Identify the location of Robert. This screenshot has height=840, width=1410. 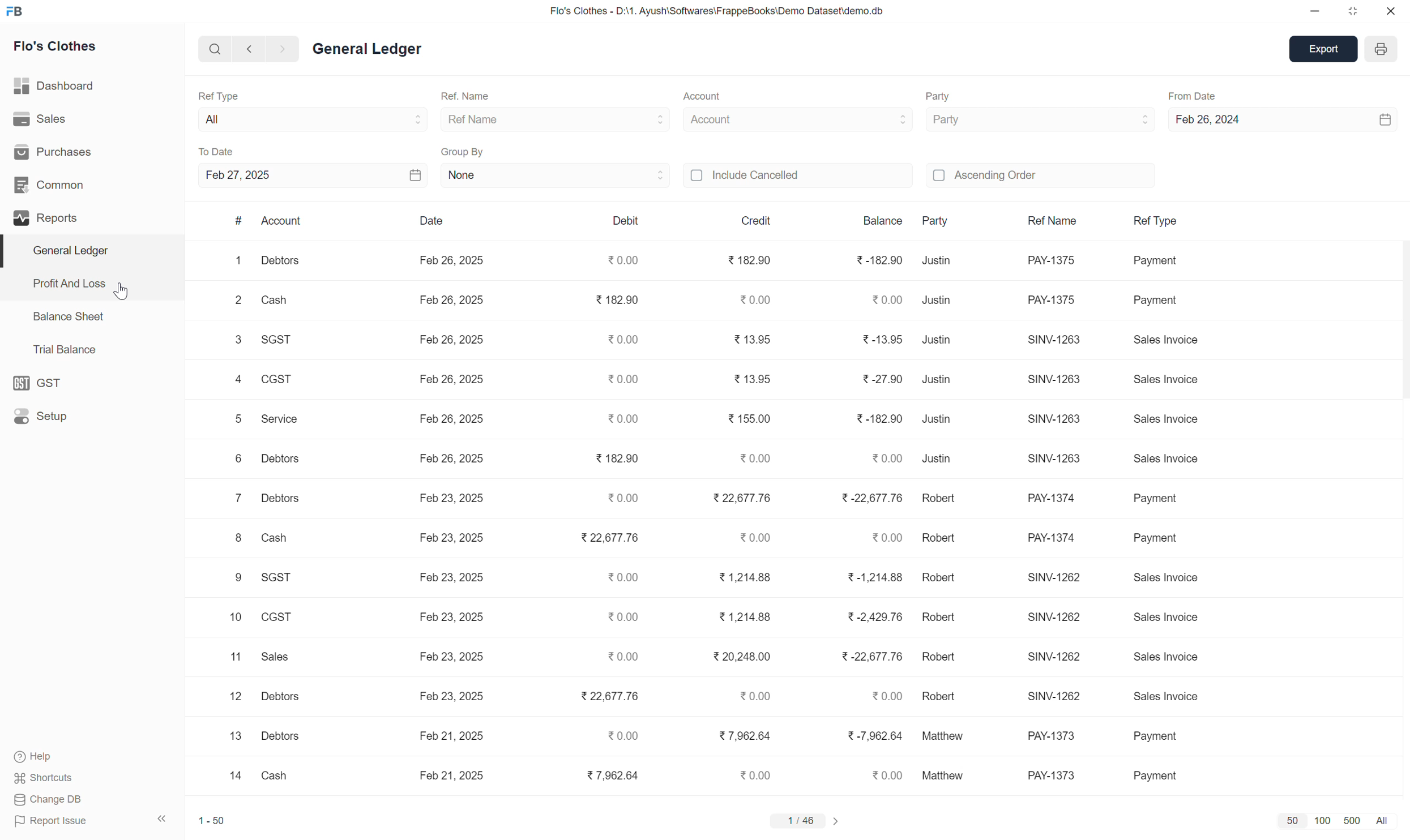
(944, 693).